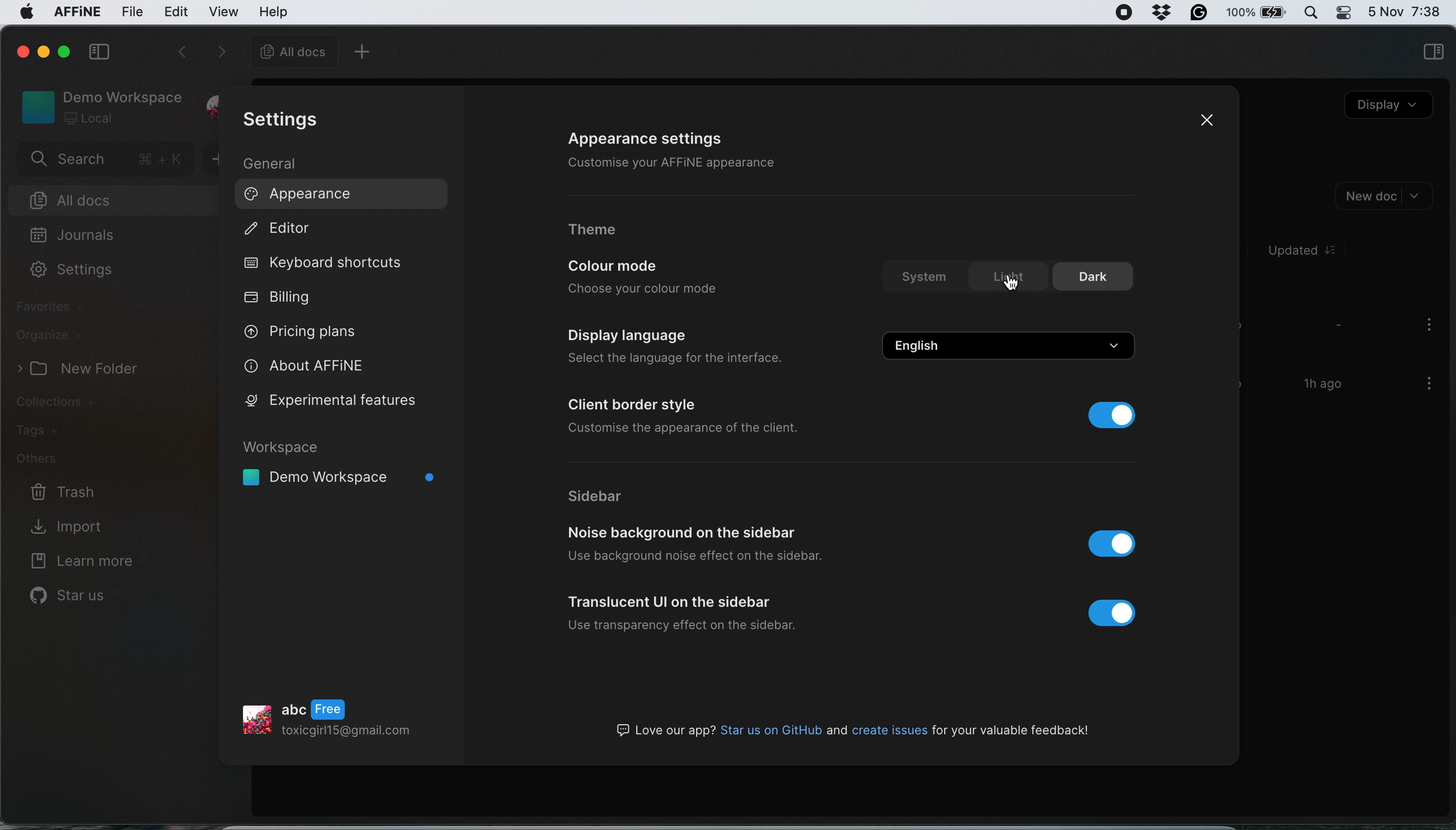  Describe the element at coordinates (52, 307) in the screenshot. I see `favourites` at that location.